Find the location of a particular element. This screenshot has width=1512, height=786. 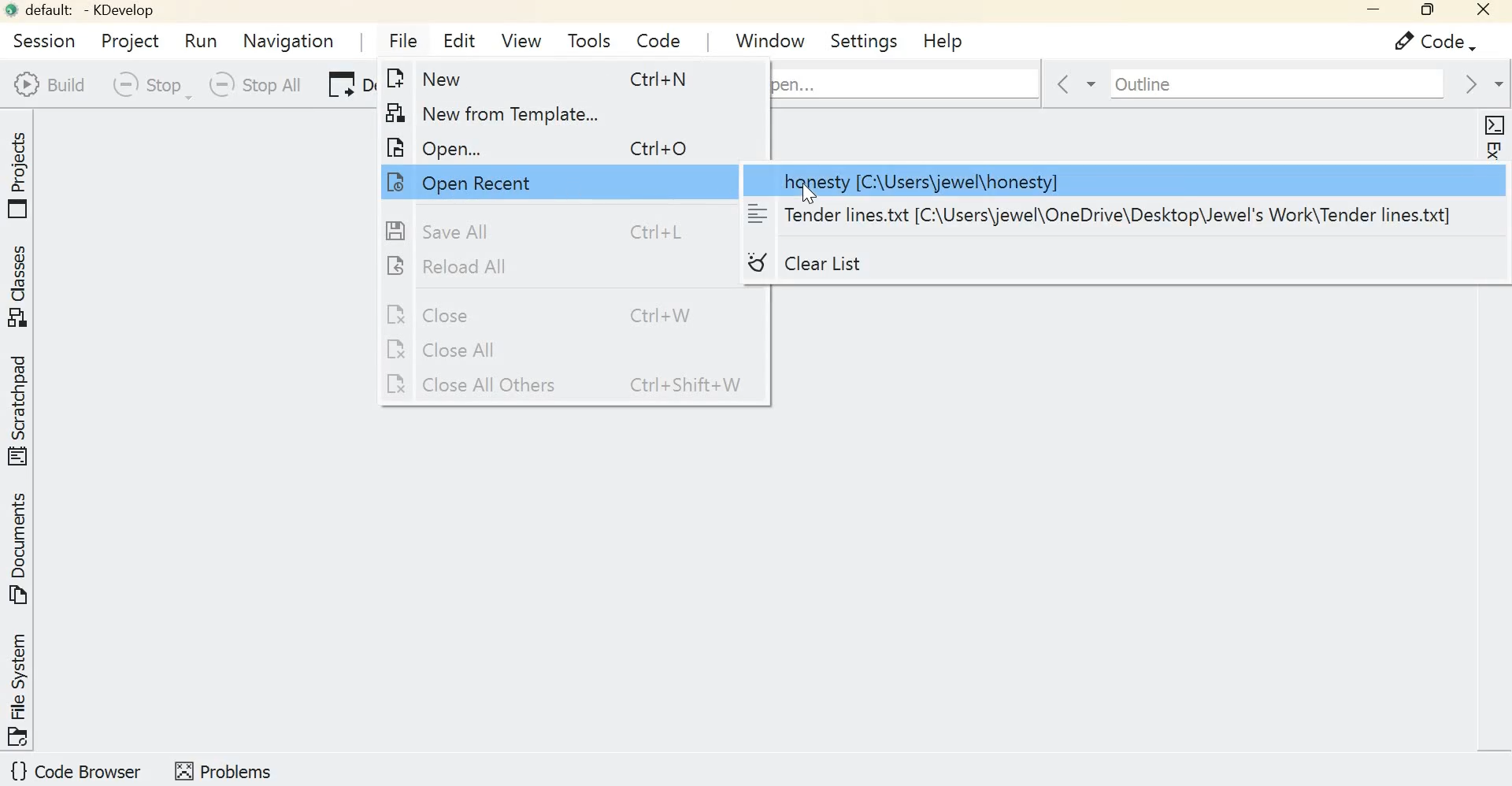

Stop all currently running jobs is located at coordinates (253, 85).